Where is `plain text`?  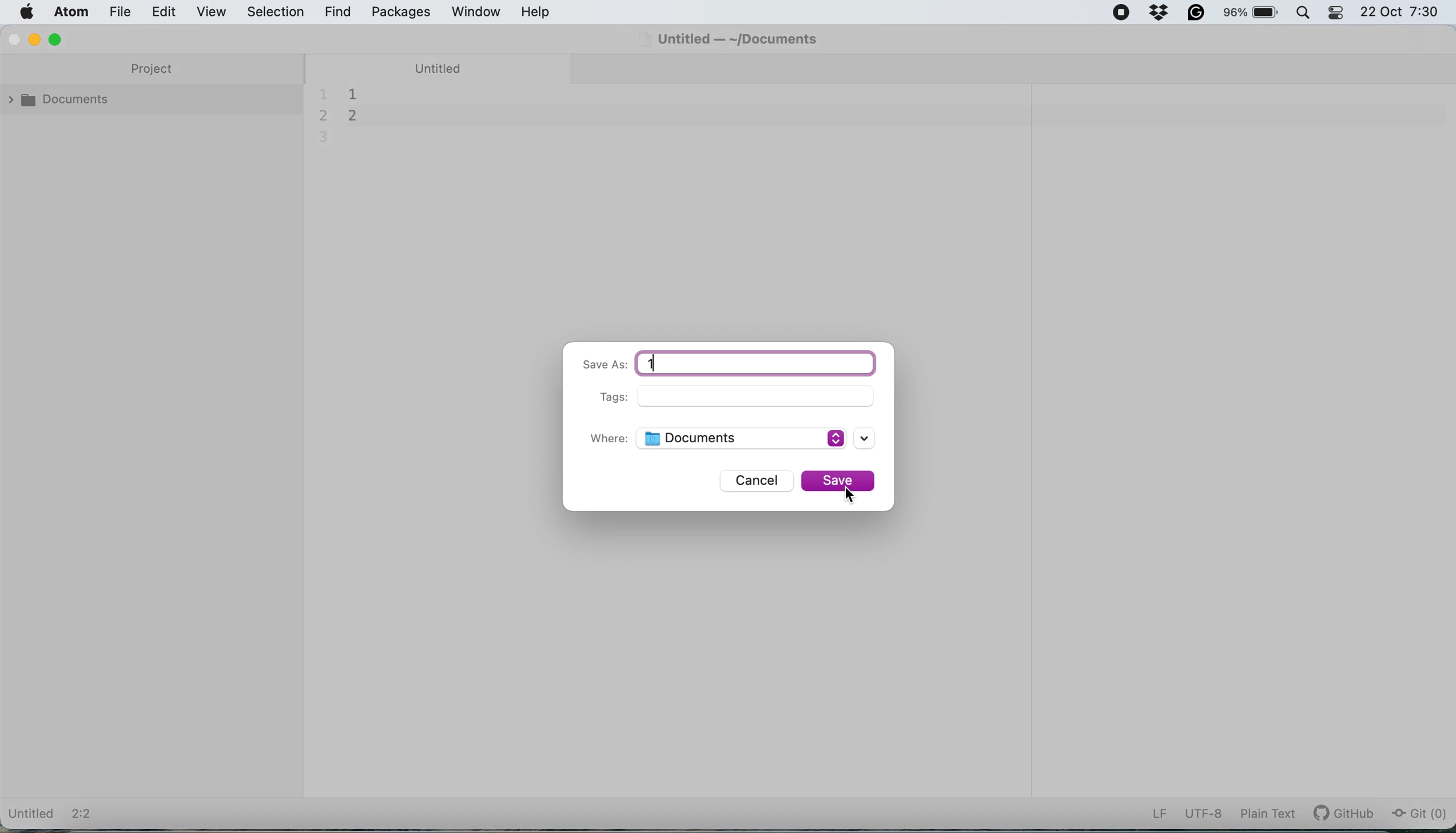
plain text is located at coordinates (1266, 816).